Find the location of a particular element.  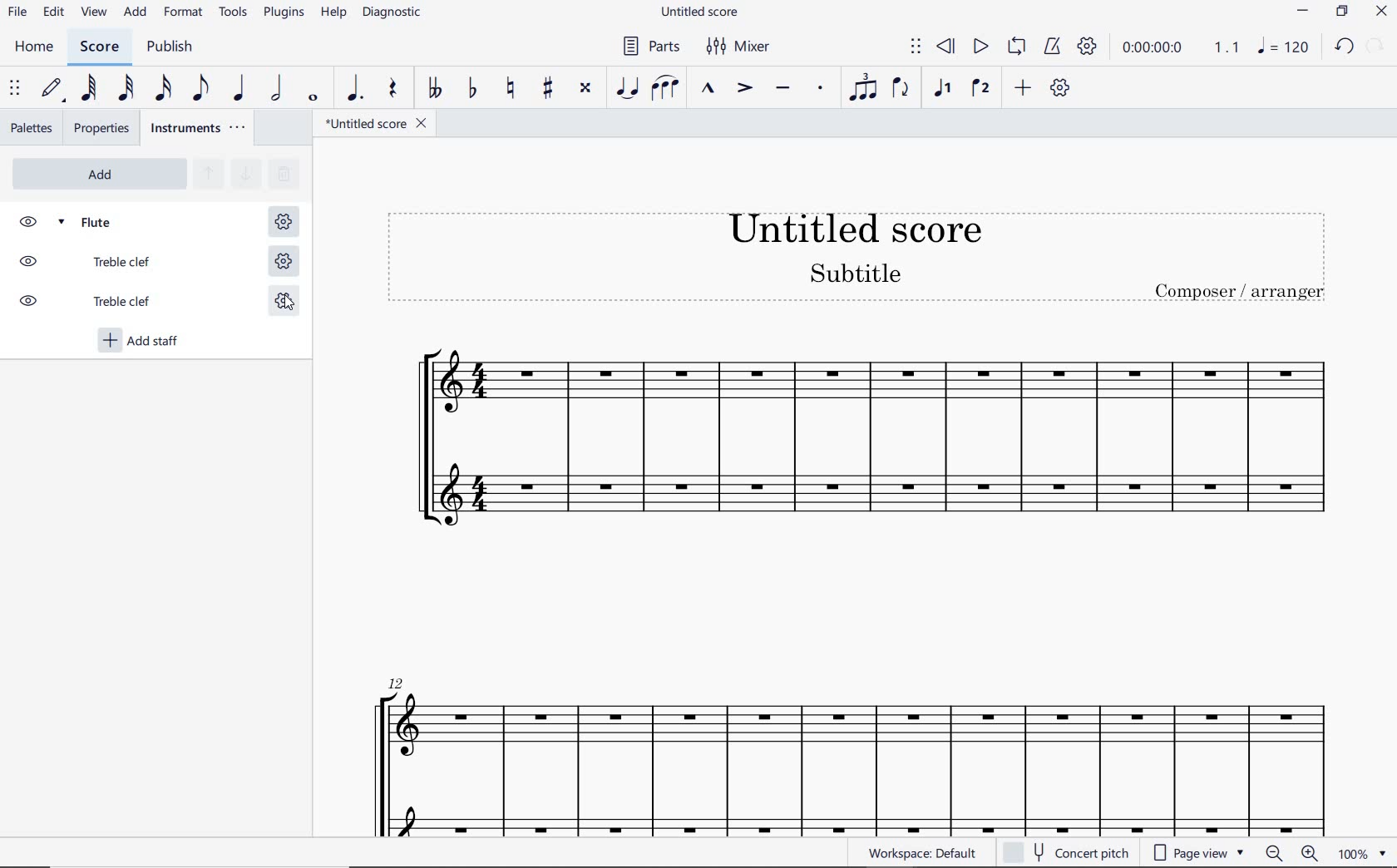

SLUR is located at coordinates (665, 88).